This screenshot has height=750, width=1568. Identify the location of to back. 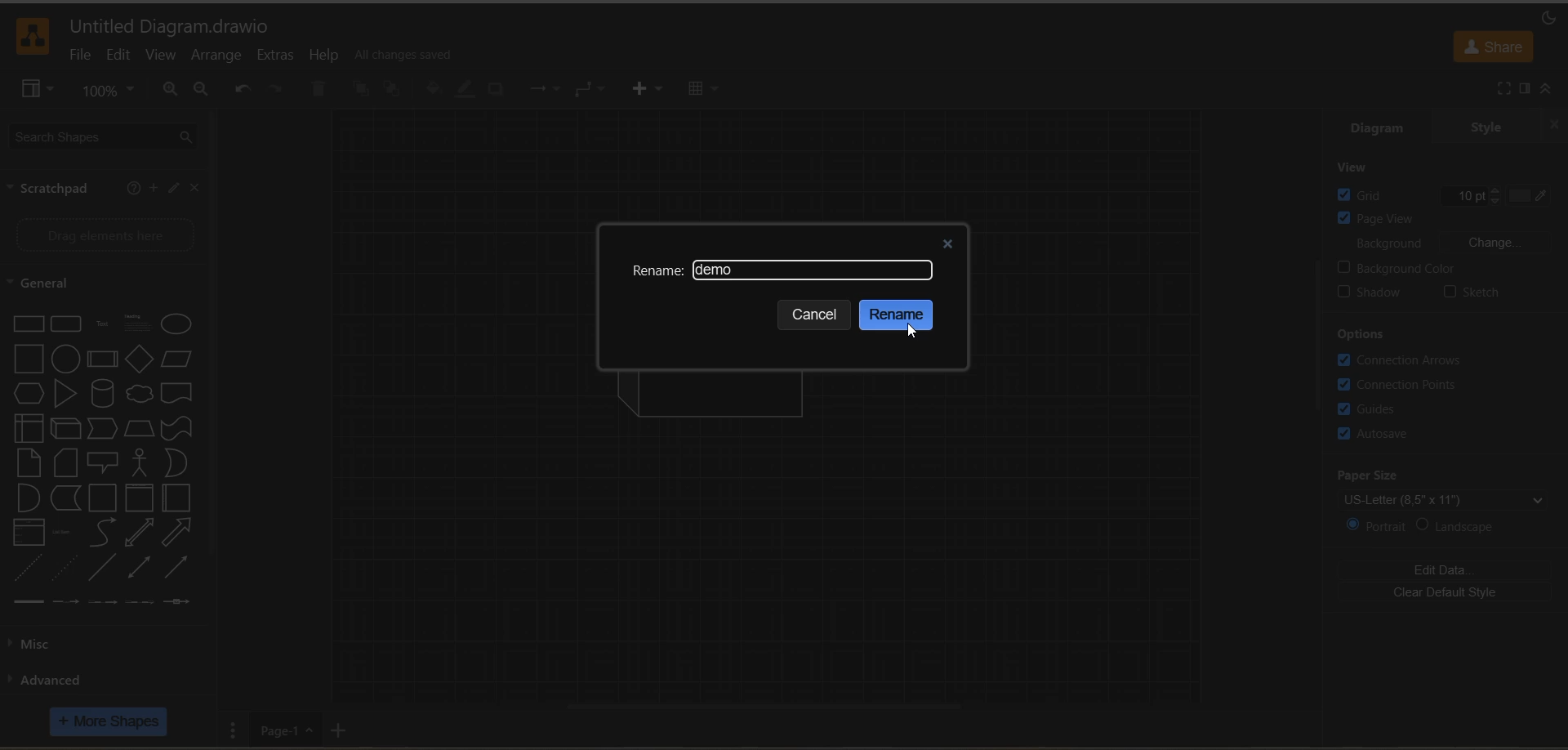
(394, 90).